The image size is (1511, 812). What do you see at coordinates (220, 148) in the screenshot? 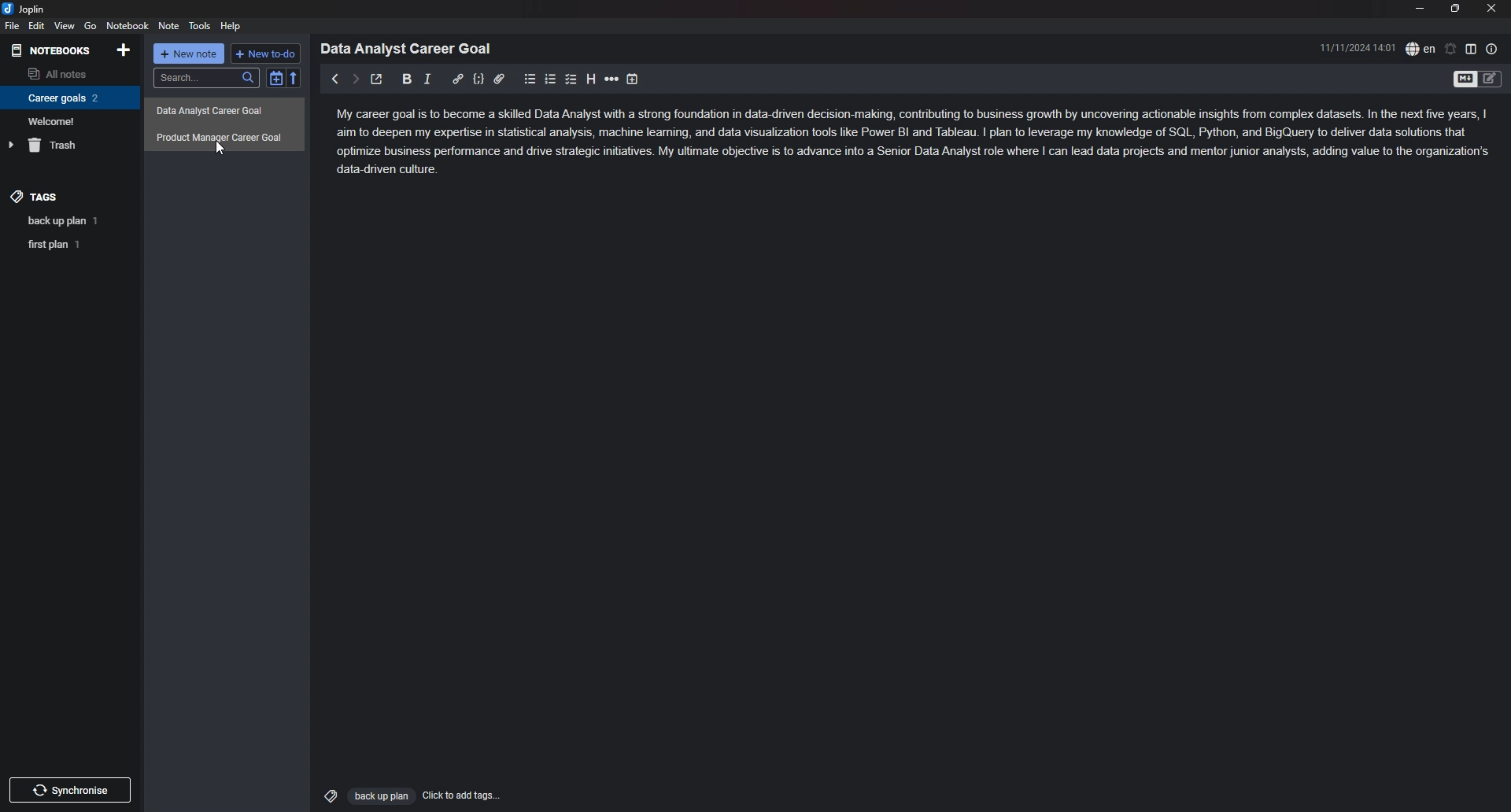
I see `cursor` at bounding box center [220, 148].